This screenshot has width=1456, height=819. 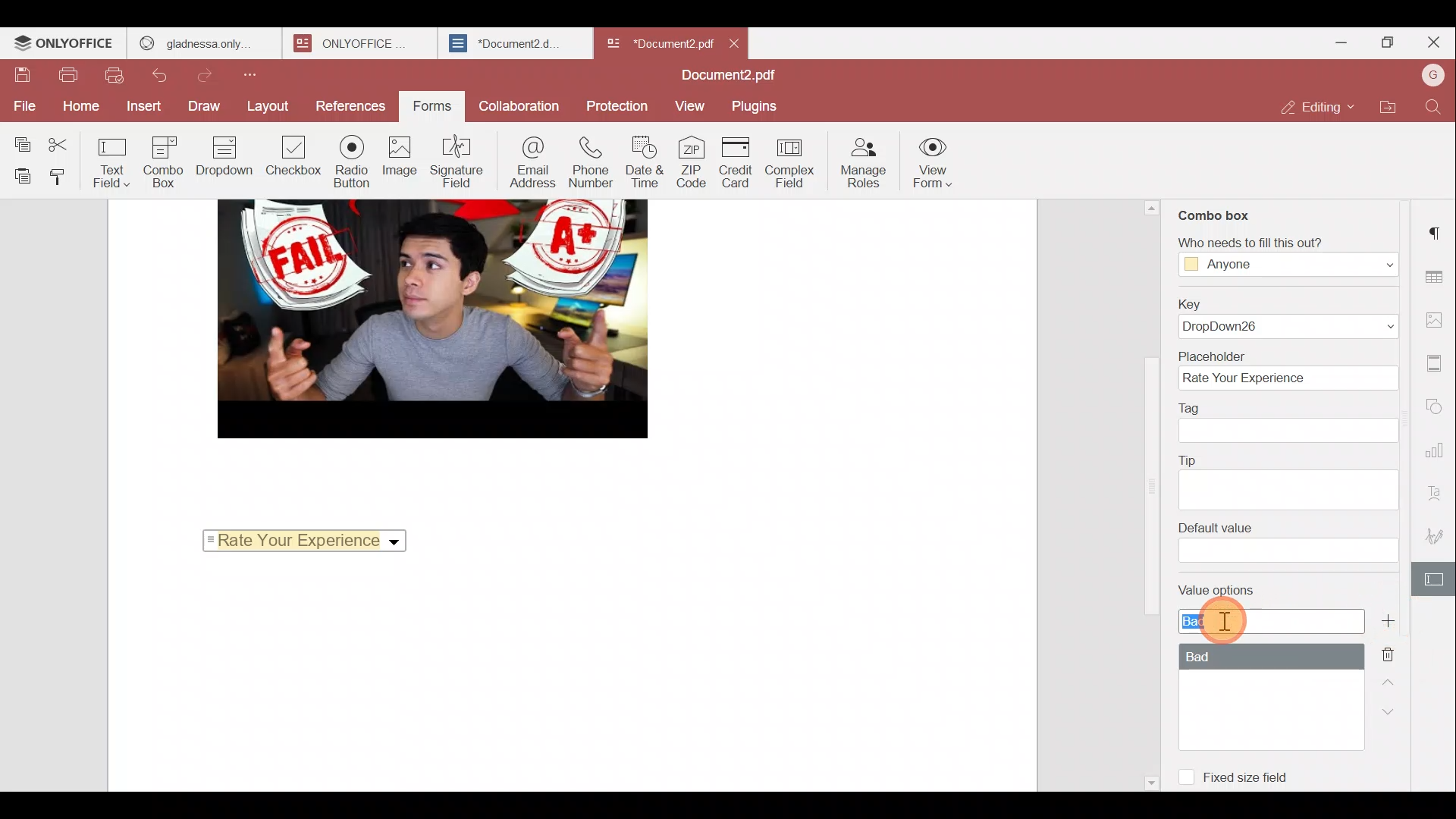 I want to click on View, so click(x=692, y=105).